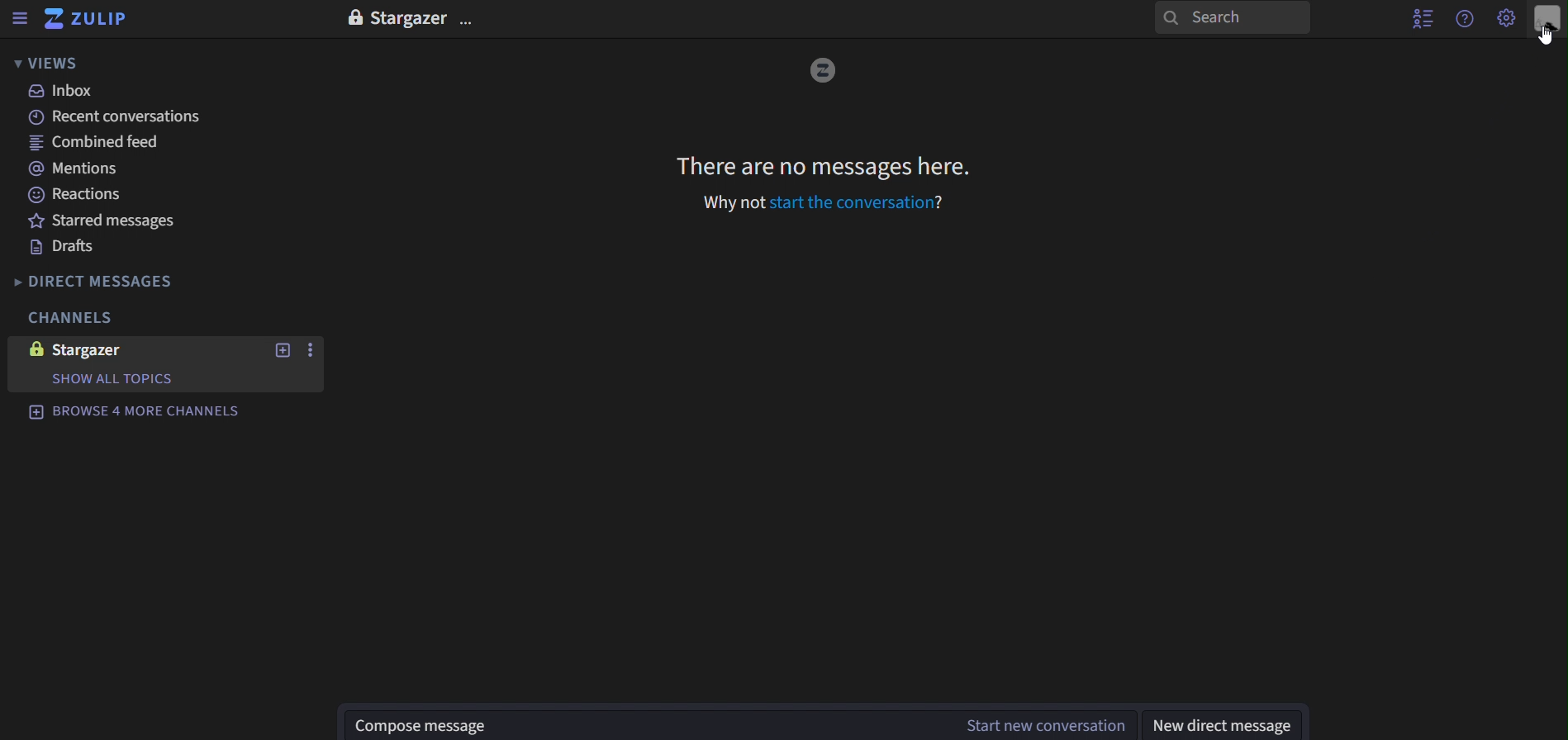 This screenshot has width=1568, height=740. What do you see at coordinates (645, 724) in the screenshot?
I see `start new conversation` at bounding box center [645, 724].